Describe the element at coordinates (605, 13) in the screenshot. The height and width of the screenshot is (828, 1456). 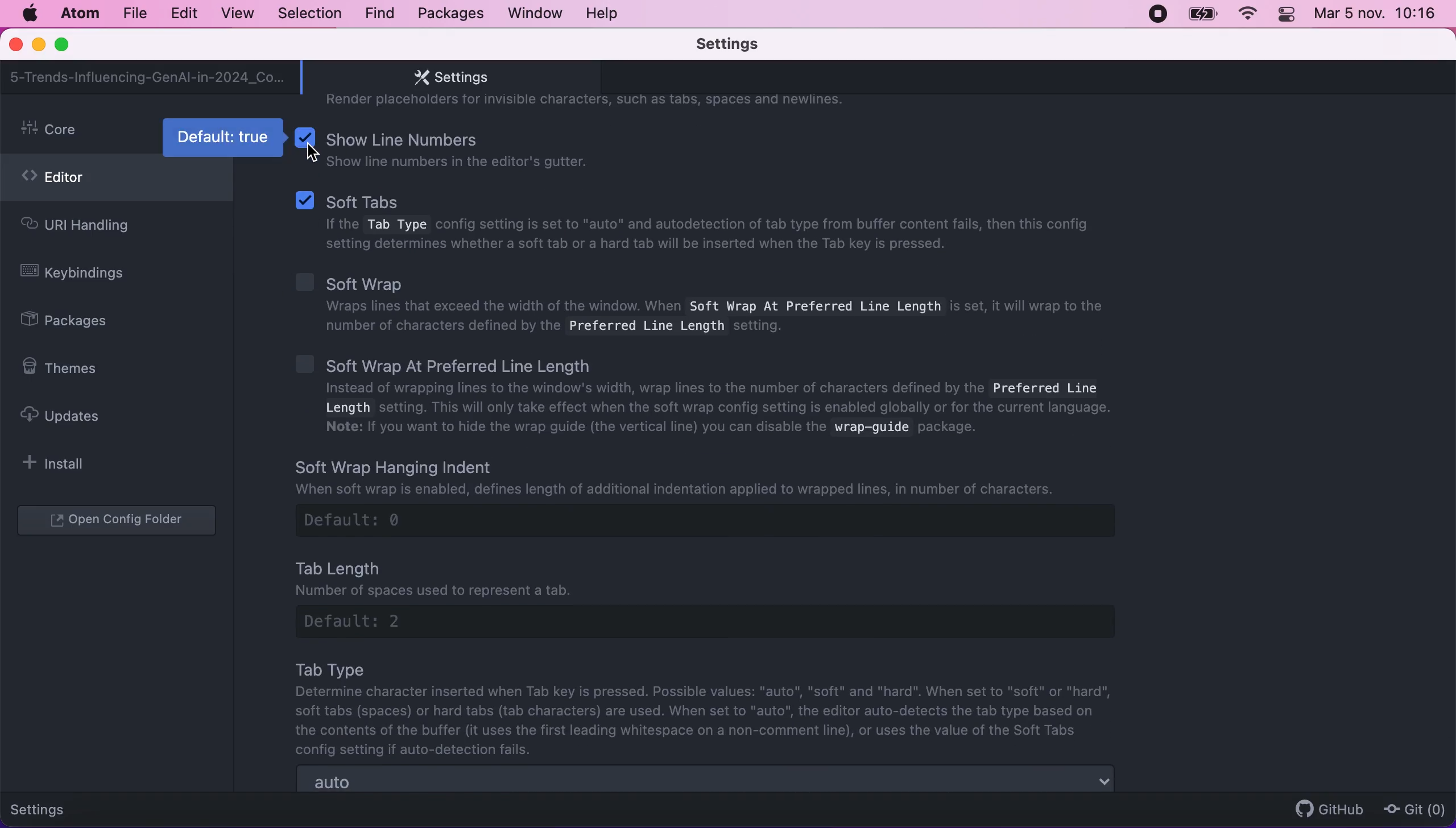
I see `help` at that location.